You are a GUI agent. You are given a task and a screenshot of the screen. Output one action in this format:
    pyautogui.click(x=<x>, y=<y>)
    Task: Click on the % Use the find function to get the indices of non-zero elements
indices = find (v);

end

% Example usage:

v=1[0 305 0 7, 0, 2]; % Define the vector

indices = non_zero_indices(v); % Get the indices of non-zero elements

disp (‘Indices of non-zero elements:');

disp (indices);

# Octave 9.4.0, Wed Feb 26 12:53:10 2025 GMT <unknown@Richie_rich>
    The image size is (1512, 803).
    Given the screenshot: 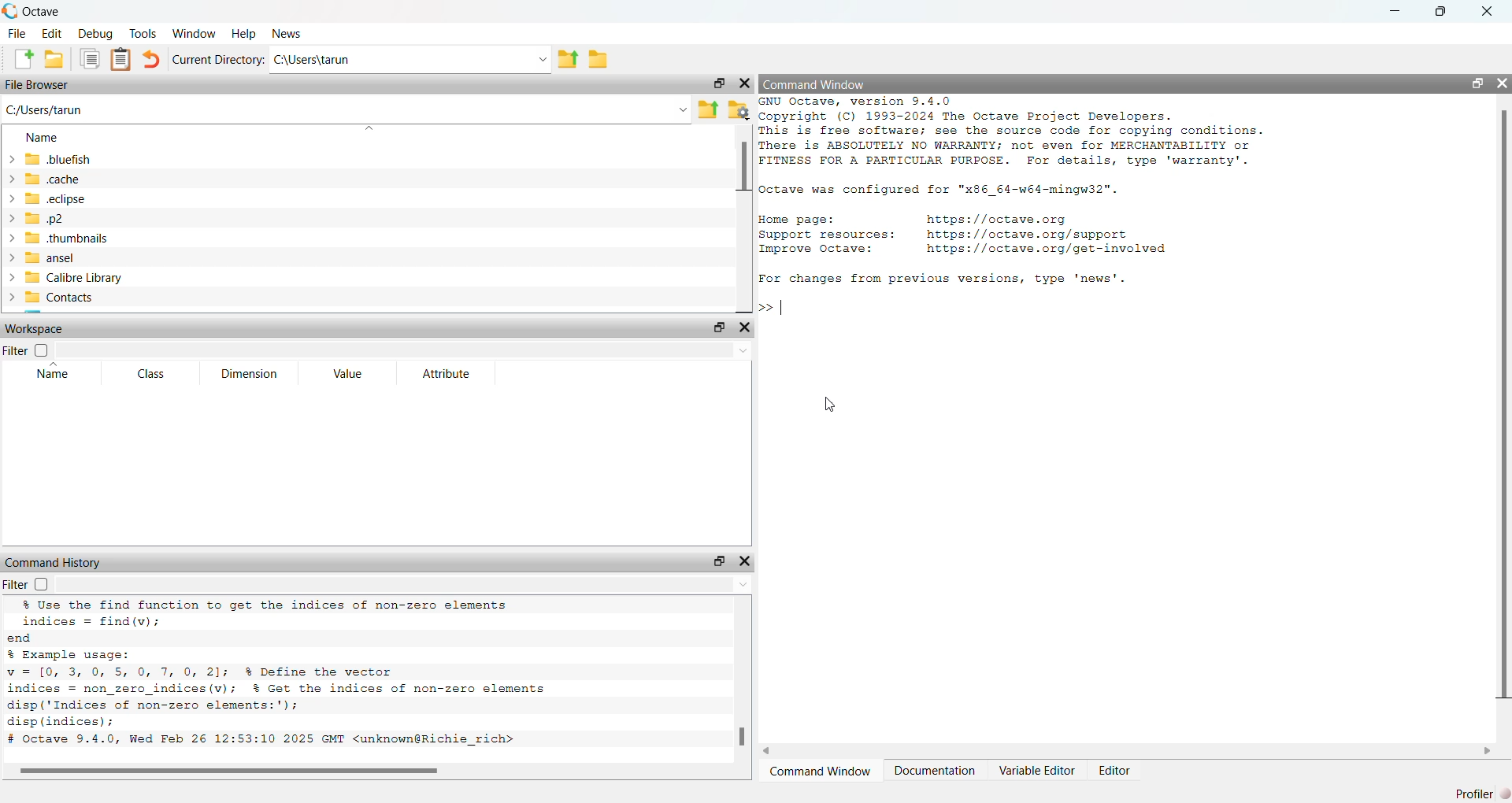 What is the action you would take?
    pyautogui.click(x=317, y=676)
    